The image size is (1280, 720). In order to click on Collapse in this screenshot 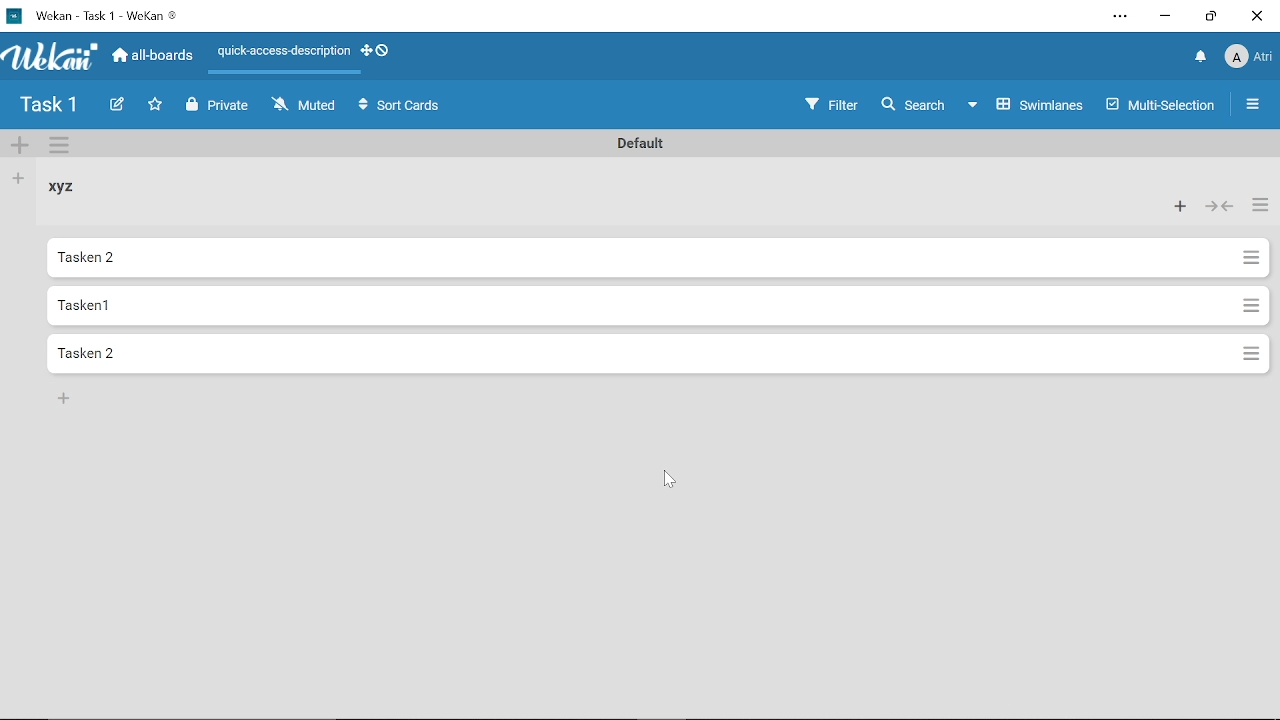, I will do `click(1216, 207)`.